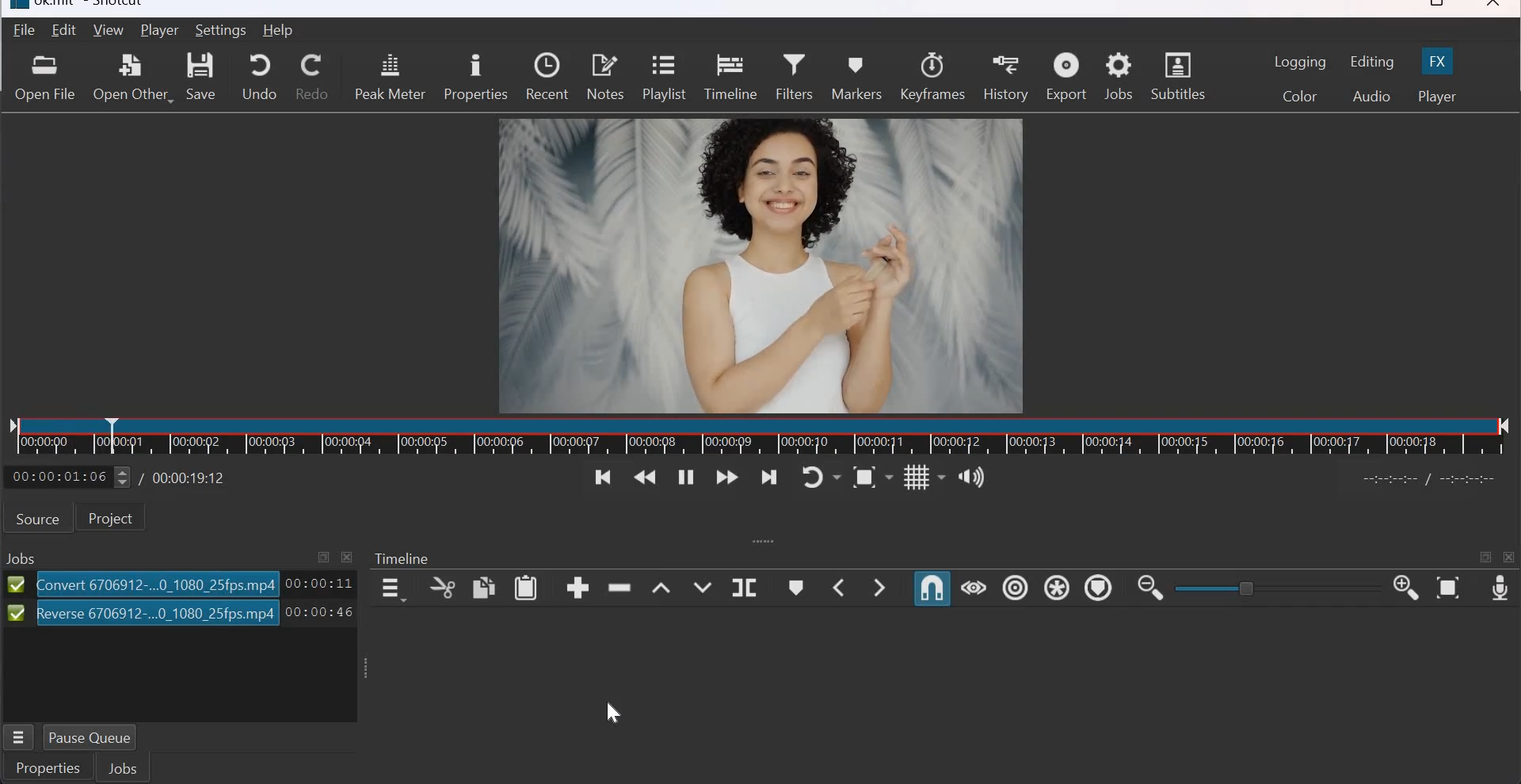 This screenshot has height=784, width=1521. I want to click on Timeline, so click(761, 436).